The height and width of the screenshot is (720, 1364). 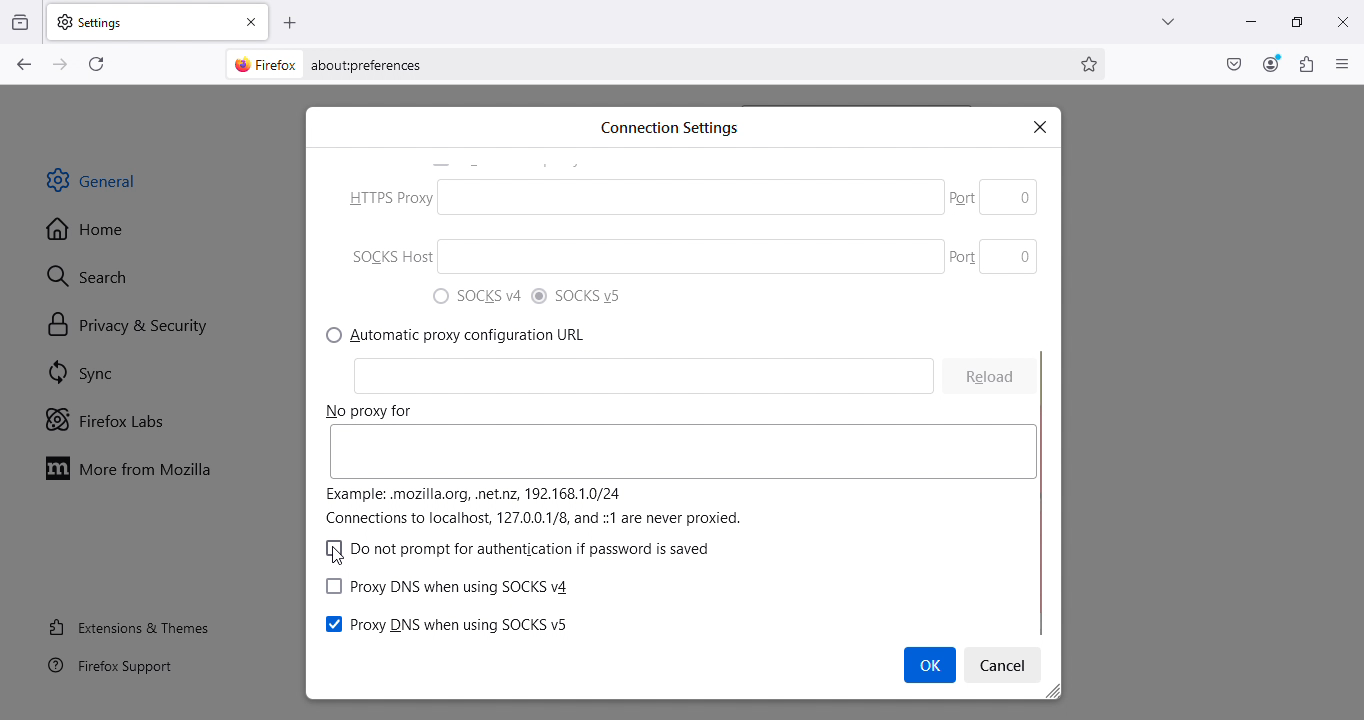 I want to click on Extensions, so click(x=1307, y=64).